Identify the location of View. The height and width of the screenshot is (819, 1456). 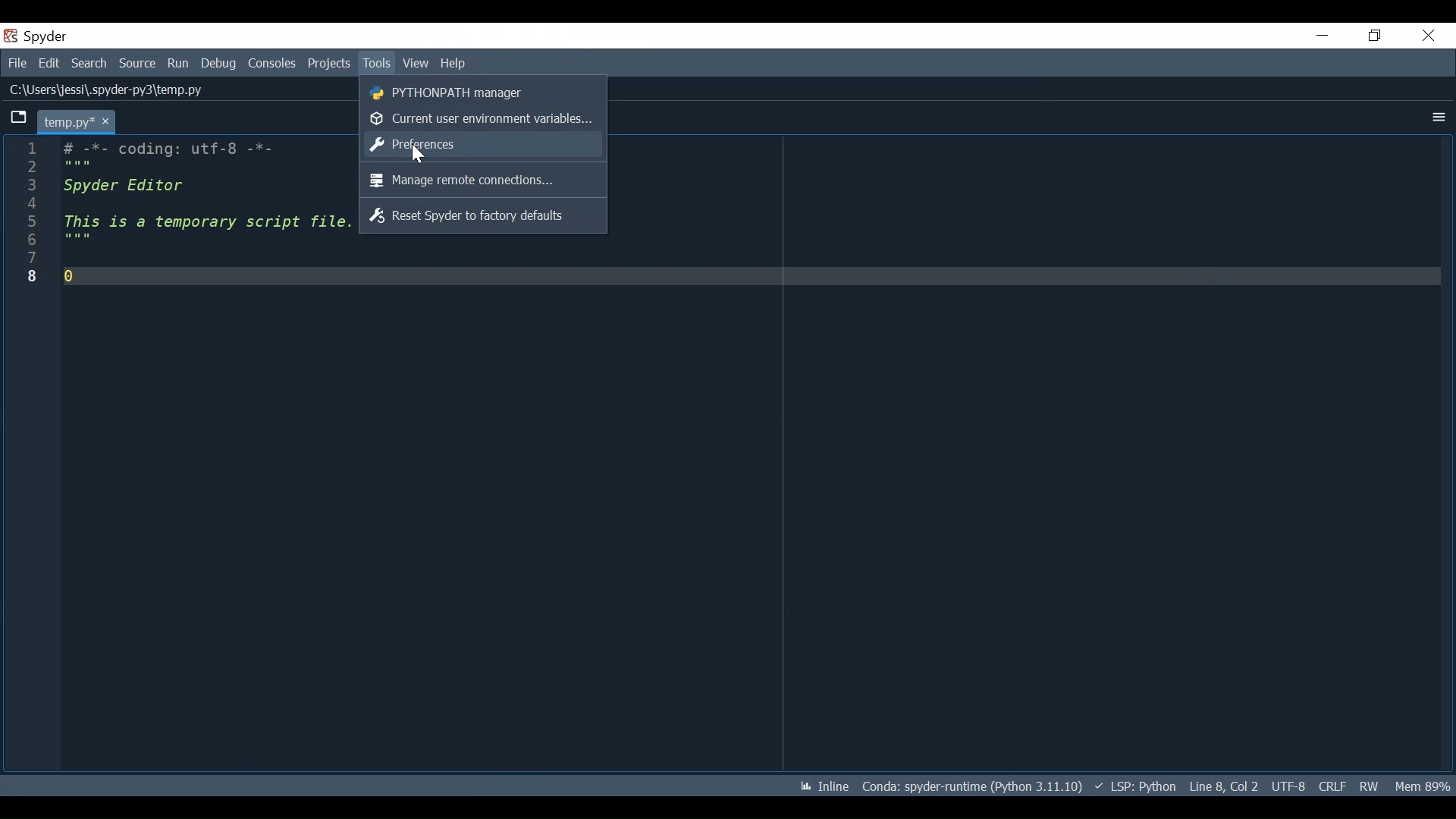
(417, 64).